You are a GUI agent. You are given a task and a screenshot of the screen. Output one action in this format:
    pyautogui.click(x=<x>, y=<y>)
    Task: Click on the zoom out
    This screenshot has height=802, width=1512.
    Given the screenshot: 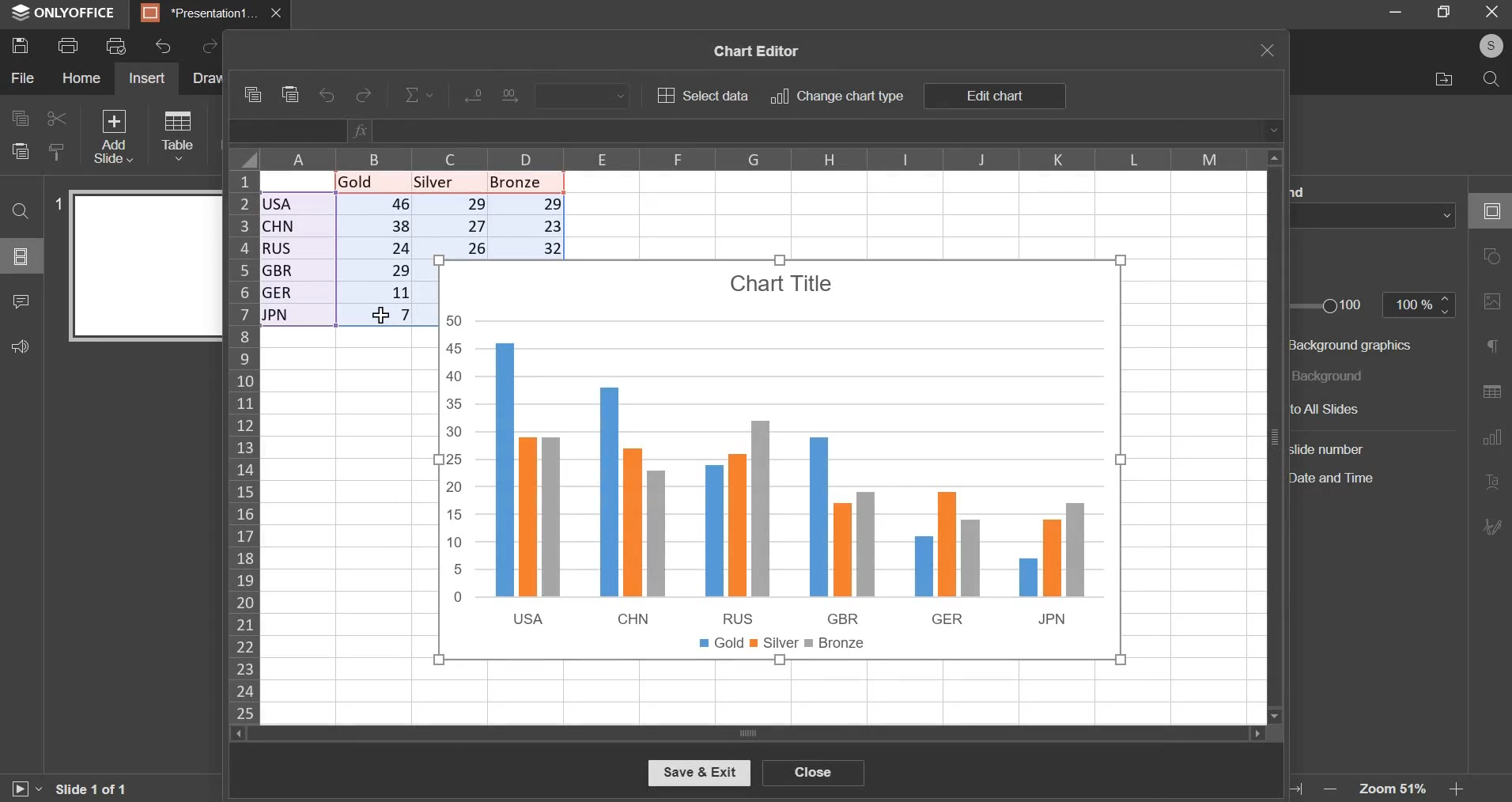 What is the action you would take?
    pyautogui.click(x=1327, y=787)
    